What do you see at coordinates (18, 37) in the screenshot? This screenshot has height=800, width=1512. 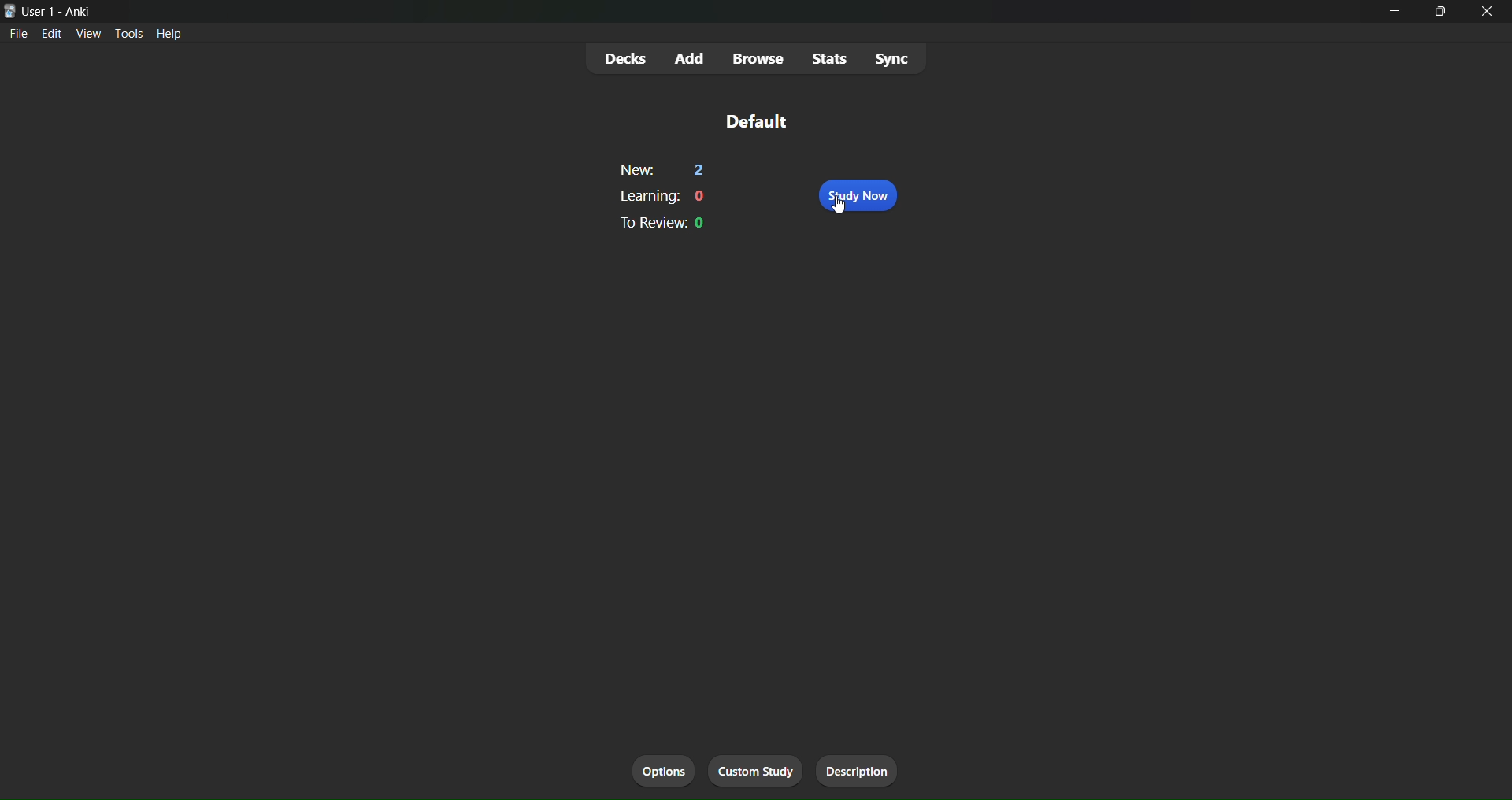 I see `file` at bounding box center [18, 37].